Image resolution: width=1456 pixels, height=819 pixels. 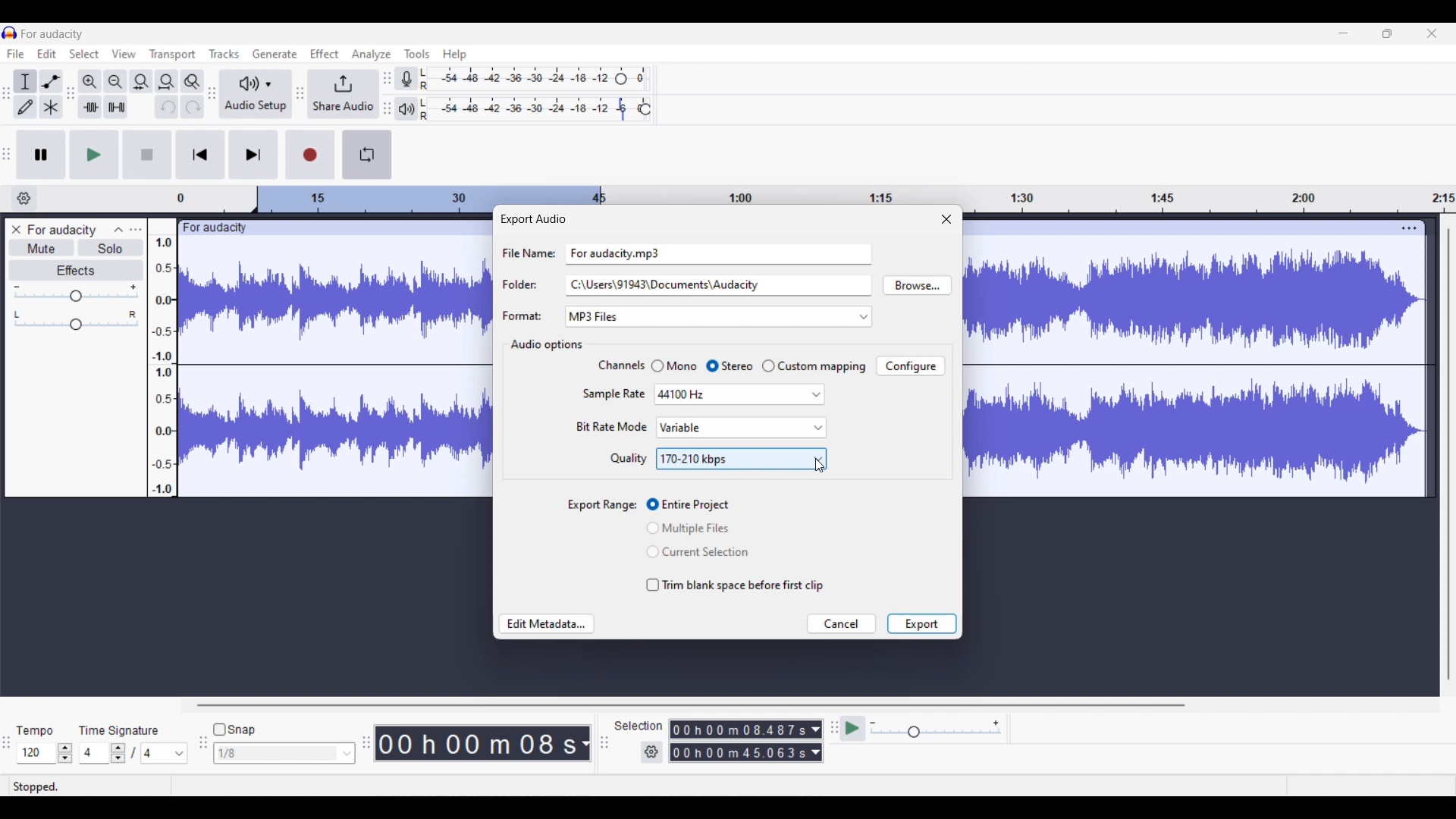 What do you see at coordinates (595, 317) in the screenshot?
I see `Format changed to selection` at bounding box center [595, 317].